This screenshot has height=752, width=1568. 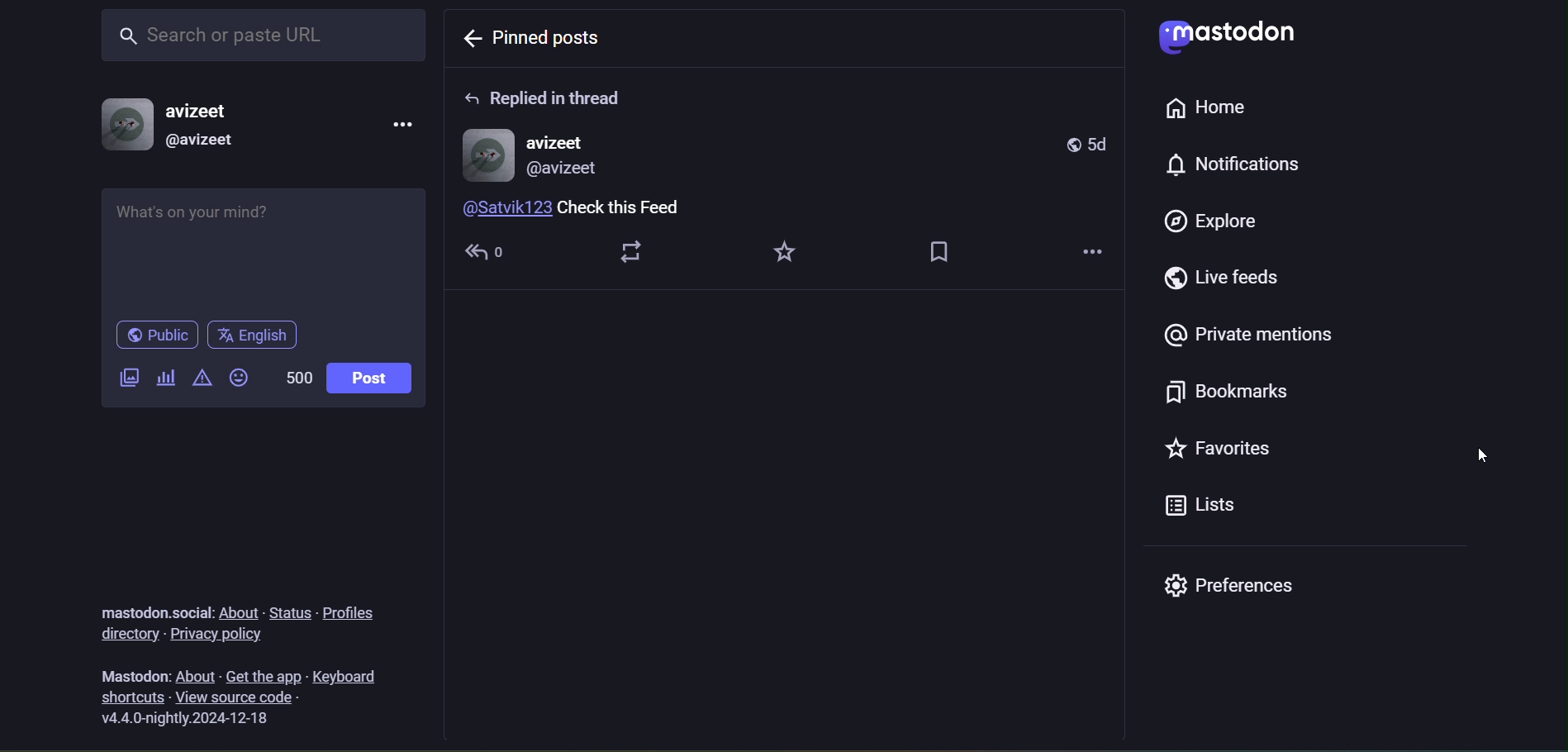 I want to click on text, so click(x=146, y=605).